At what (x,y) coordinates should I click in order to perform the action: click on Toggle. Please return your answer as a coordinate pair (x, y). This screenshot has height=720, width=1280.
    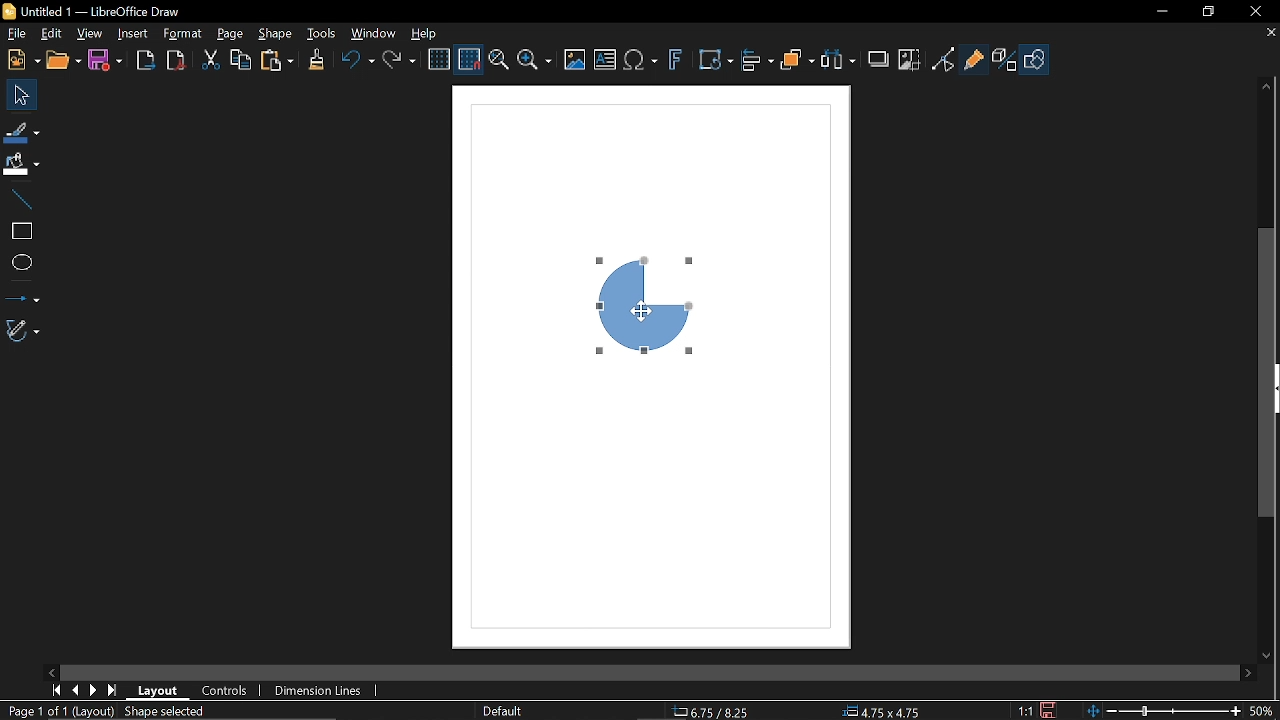
    Looking at the image, I should click on (943, 59).